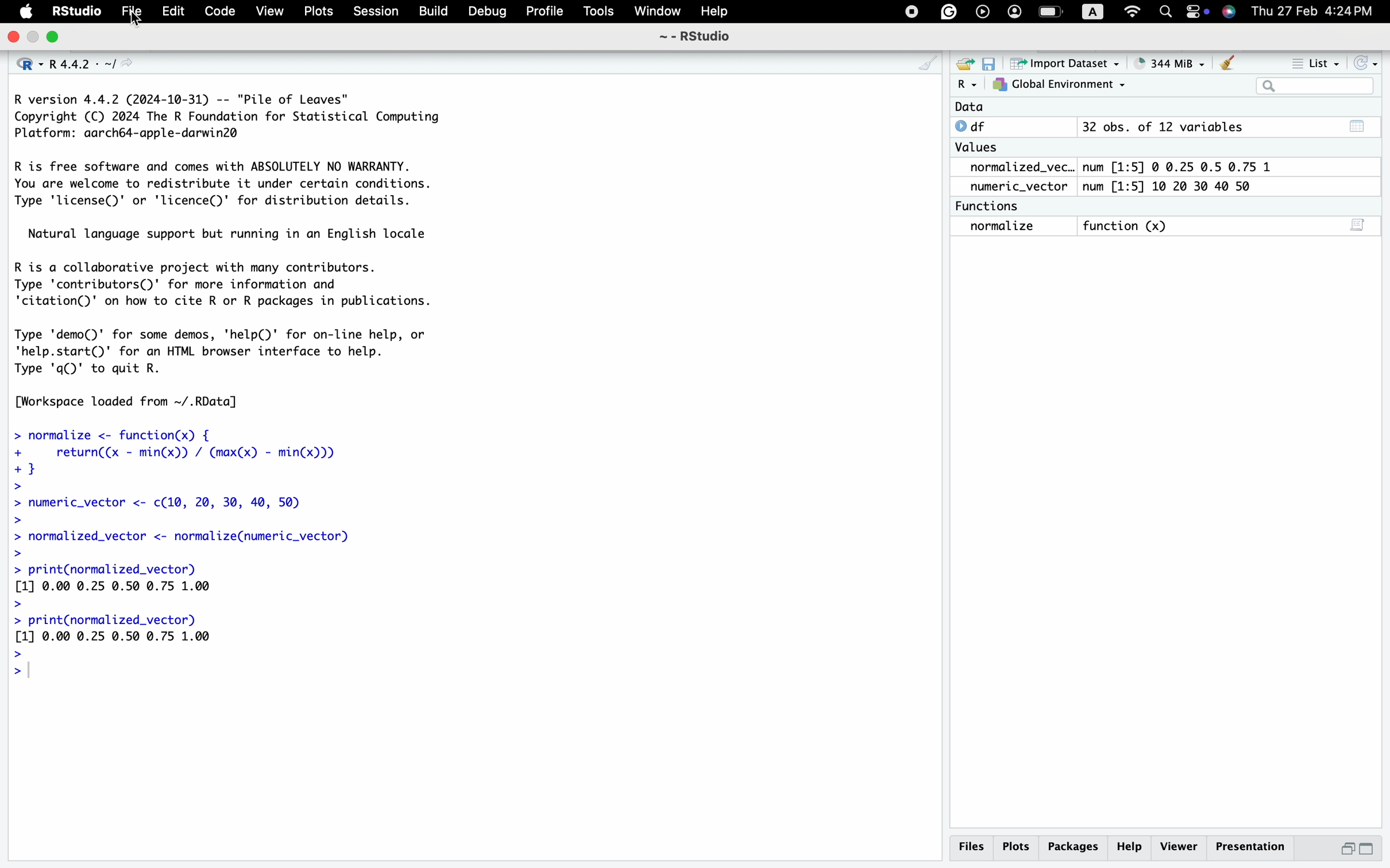 This screenshot has height=868, width=1390. What do you see at coordinates (715, 13) in the screenshot?
I see `Help` at bounding box center [715, 13].